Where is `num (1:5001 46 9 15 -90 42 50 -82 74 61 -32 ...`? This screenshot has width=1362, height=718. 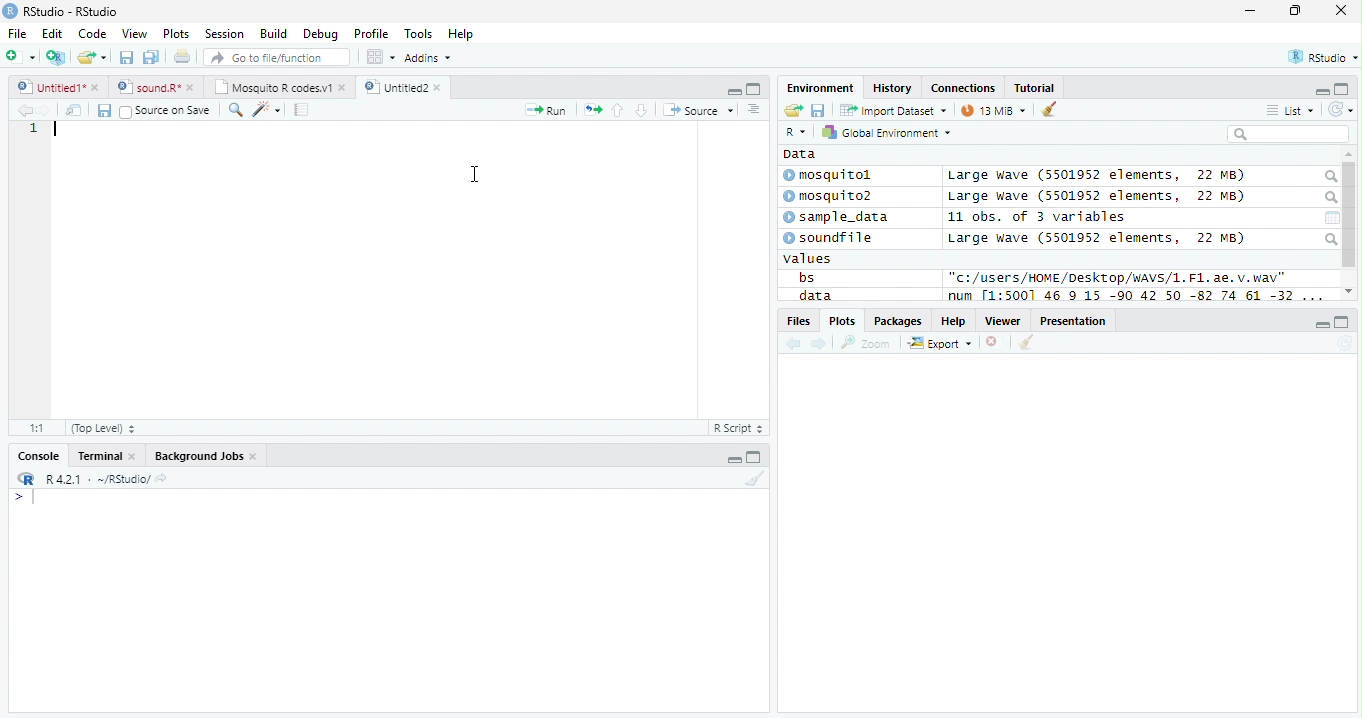
num (1:5001 46 9 15 -90 42 50 -82 74 61 -32 ... is located at coordinates (1138, 296).